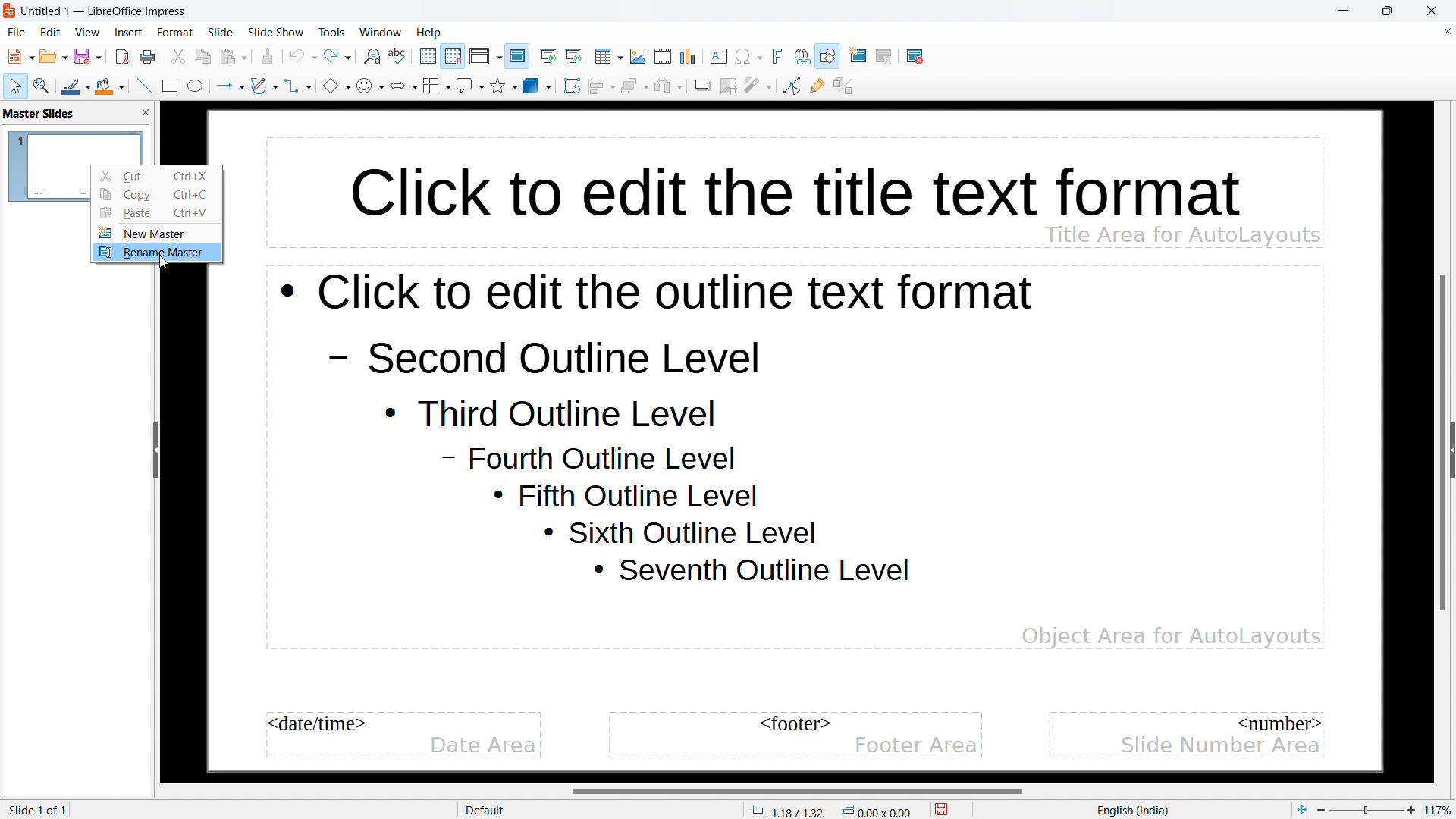 Image resolution: width=1456 pixels, height=819 pixels. What do you see at coordinates (265, 86) in the screenshot?
I see `curves and polygons` at bounding box center [265, 86].